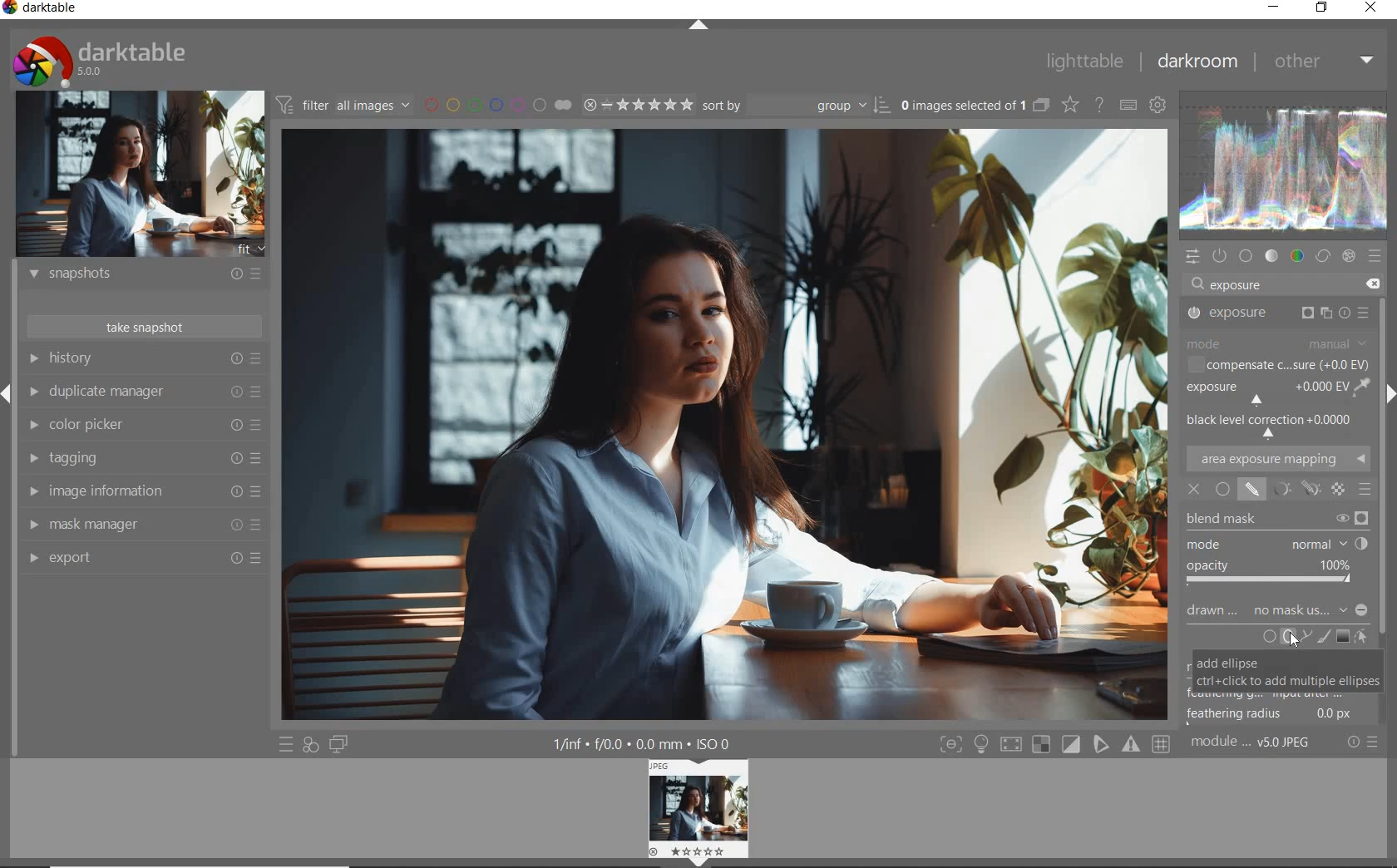  Describe the element at coordinates (339, 745) in the screenshot. I see `display a second darkroom image below` at that location.